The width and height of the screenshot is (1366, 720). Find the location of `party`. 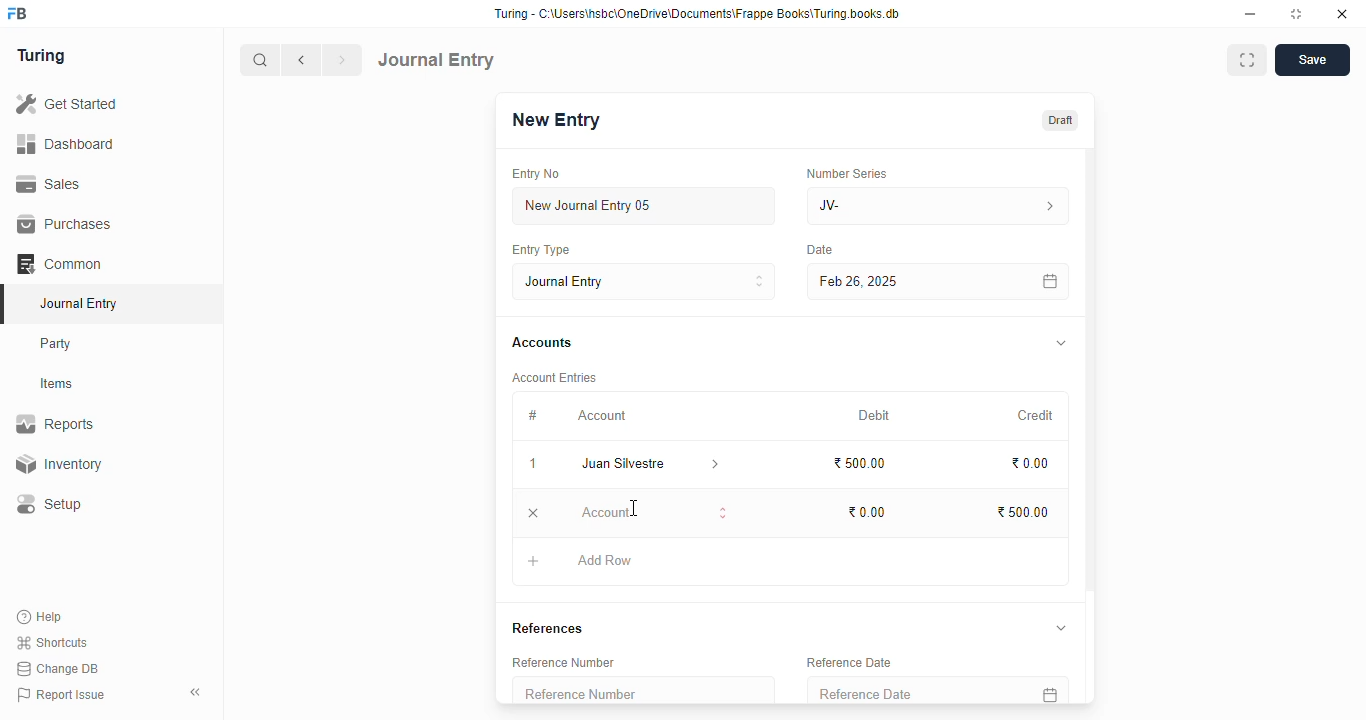

party is located at coordinates (58, 344).